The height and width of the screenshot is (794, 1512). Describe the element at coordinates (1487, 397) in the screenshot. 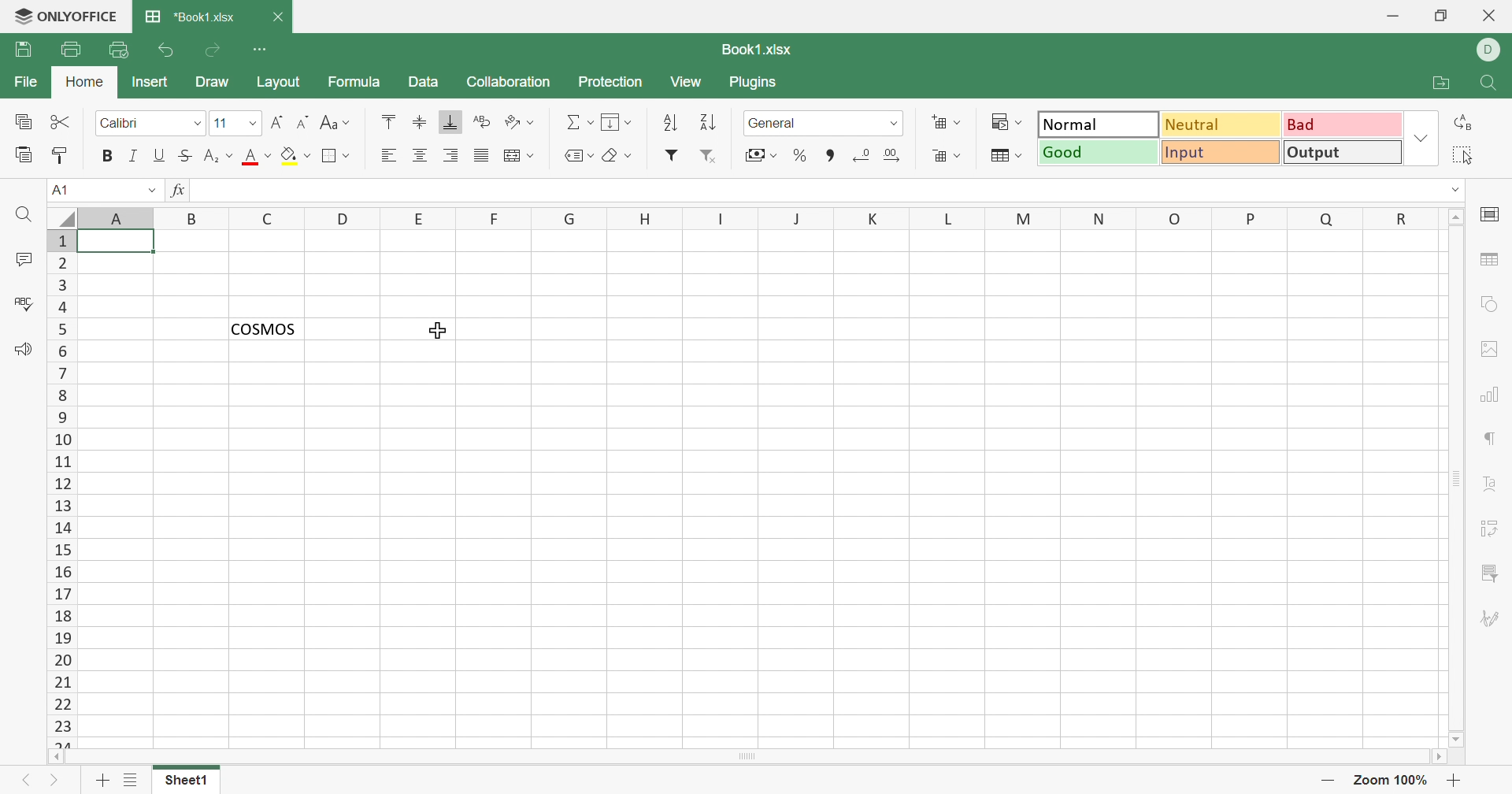

I see `Chart settings` at that location.